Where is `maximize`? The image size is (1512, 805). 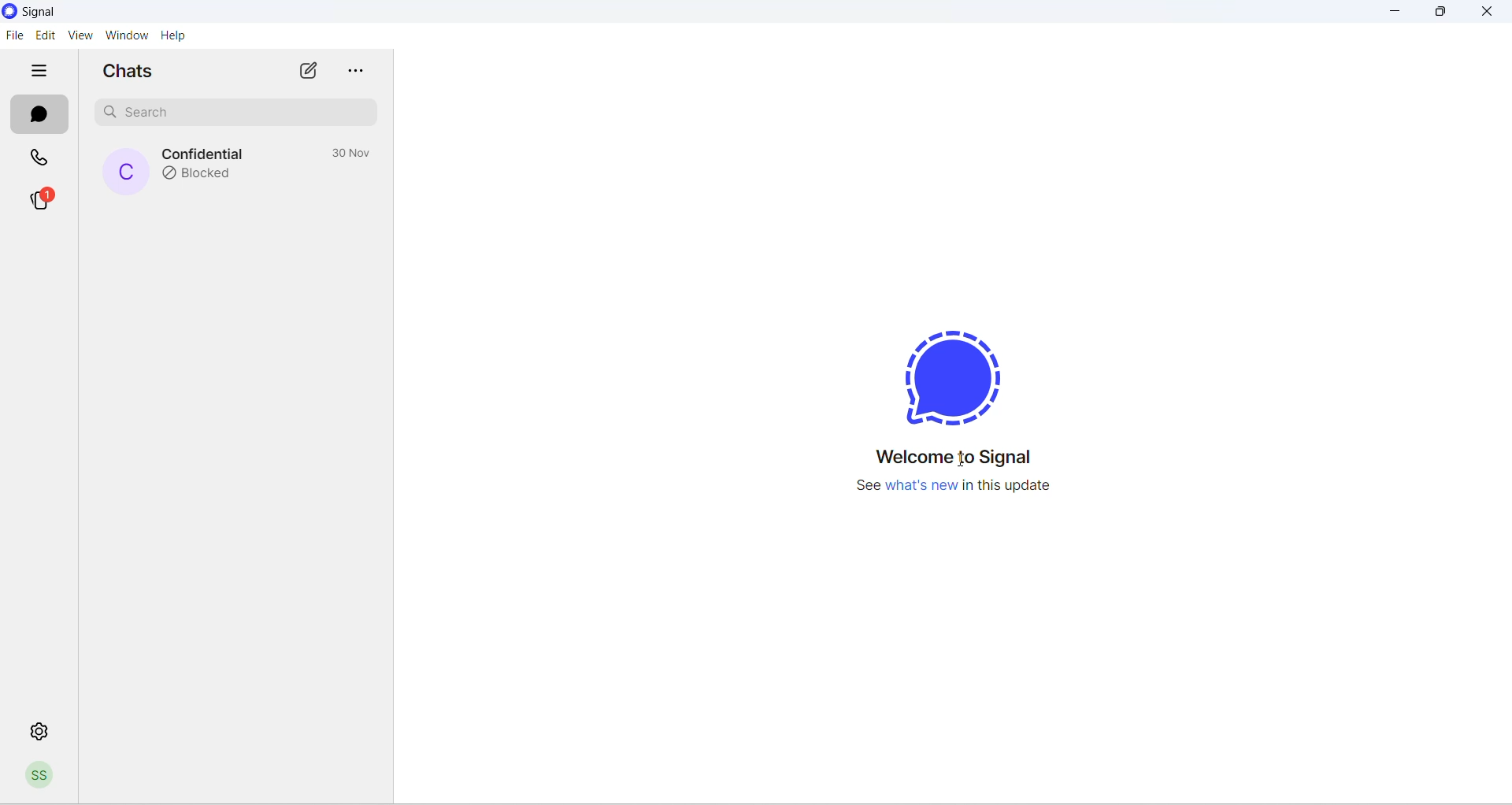
maximize is located at coordinates (1440, 14).